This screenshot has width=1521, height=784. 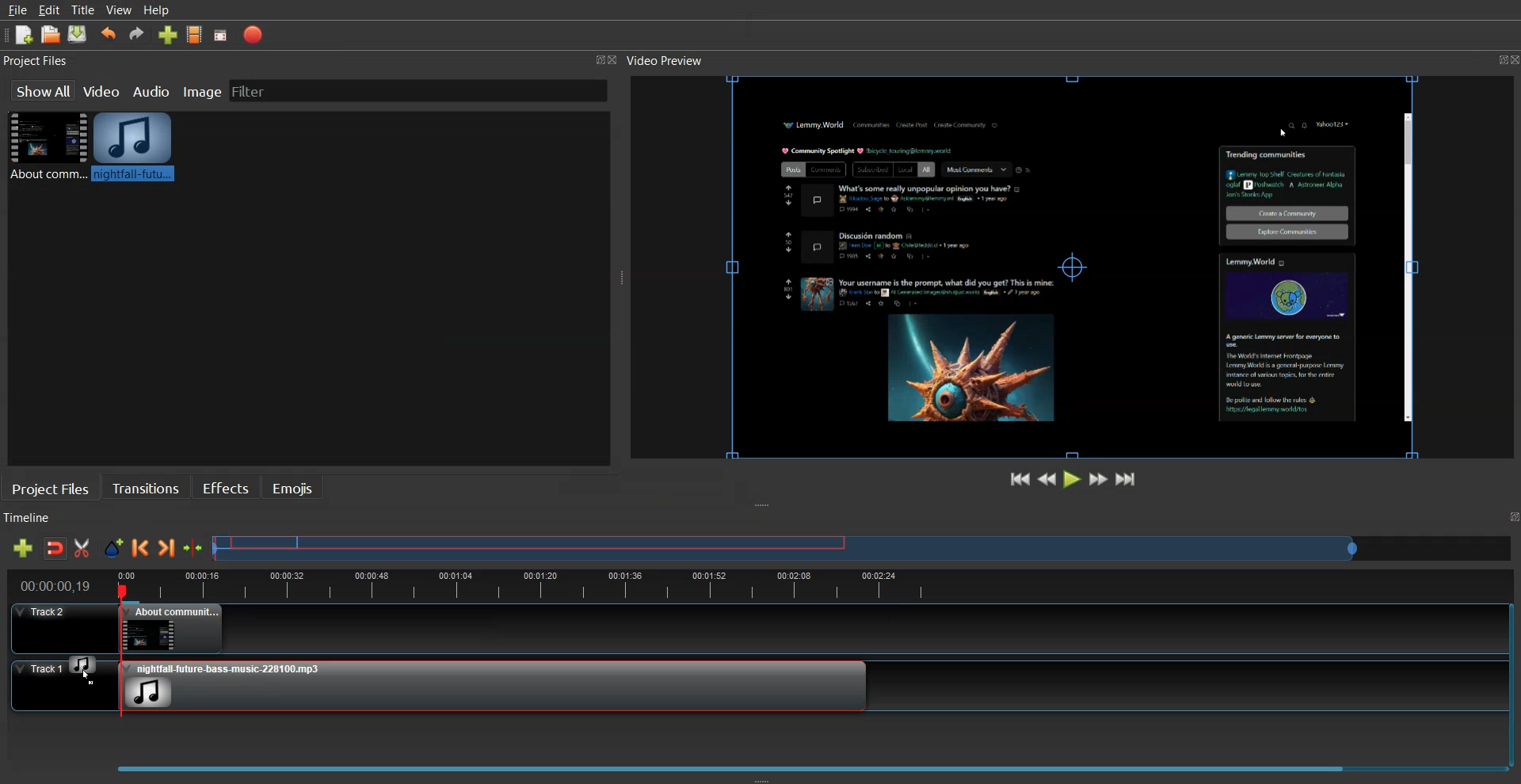 I want to click on Open Project, so click(x=51, y=34).